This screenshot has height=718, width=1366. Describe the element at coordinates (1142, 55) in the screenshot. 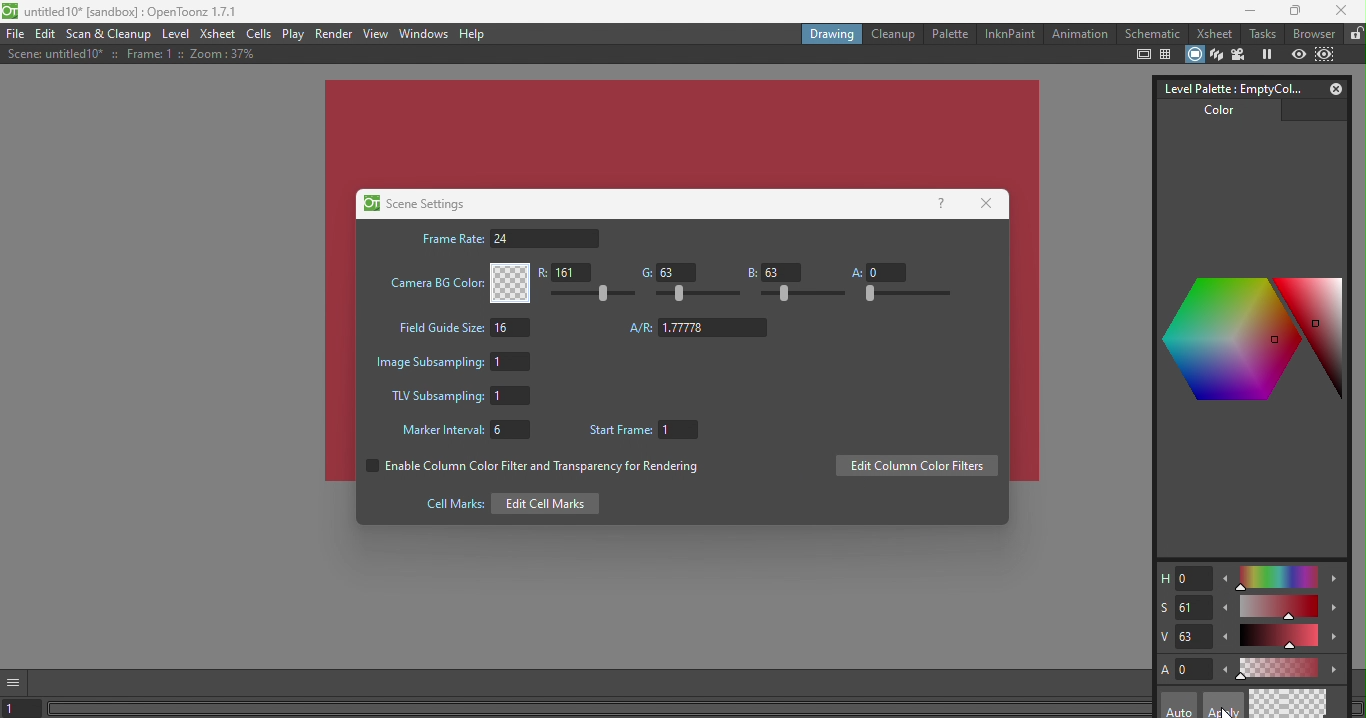

I see `Safe area` at that location.